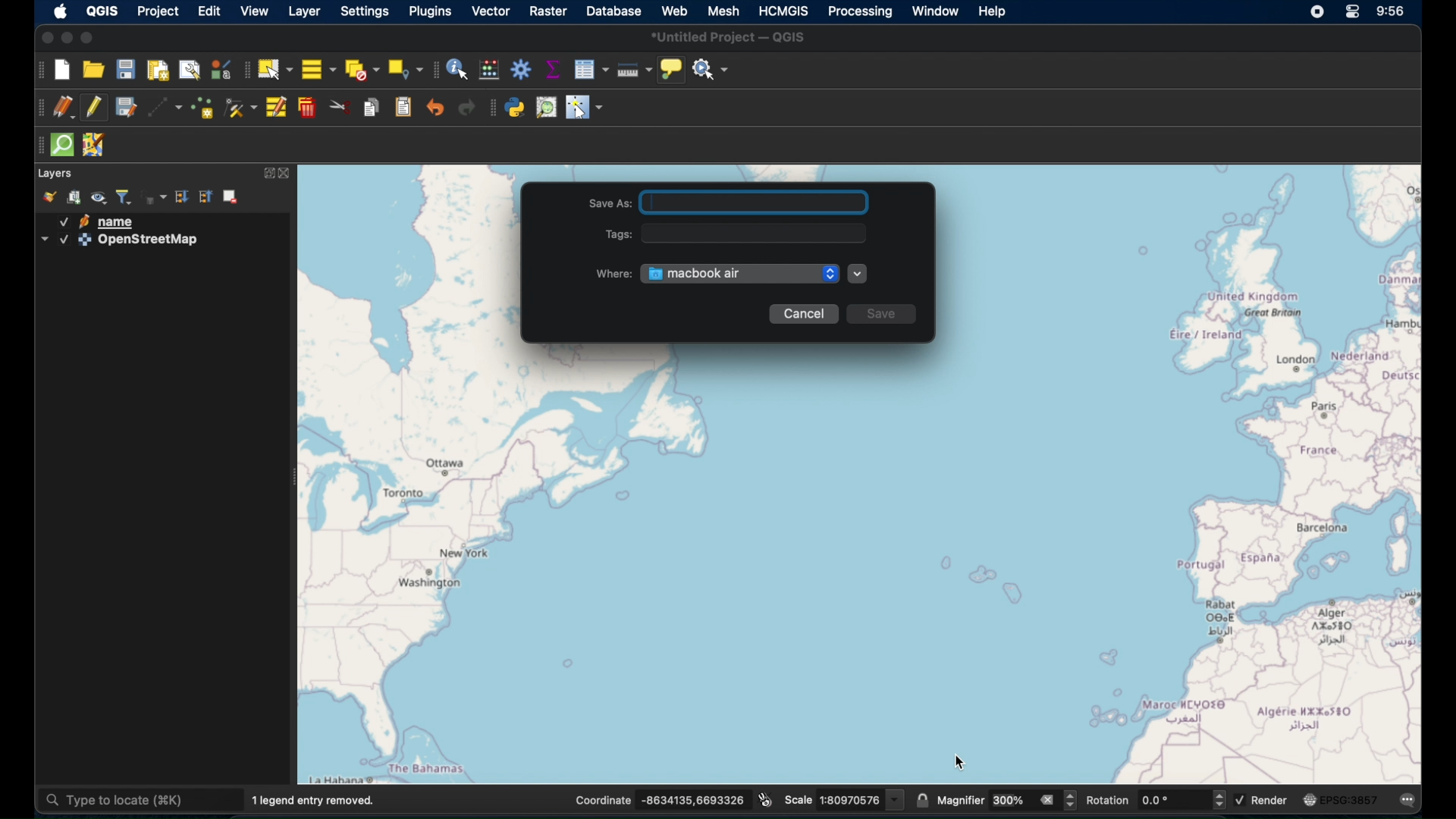 The width and height of the screenshot is (1456, 819). Describe the element at coordinates (61, 12) in the screenshot. I see `apple icon` at that location.